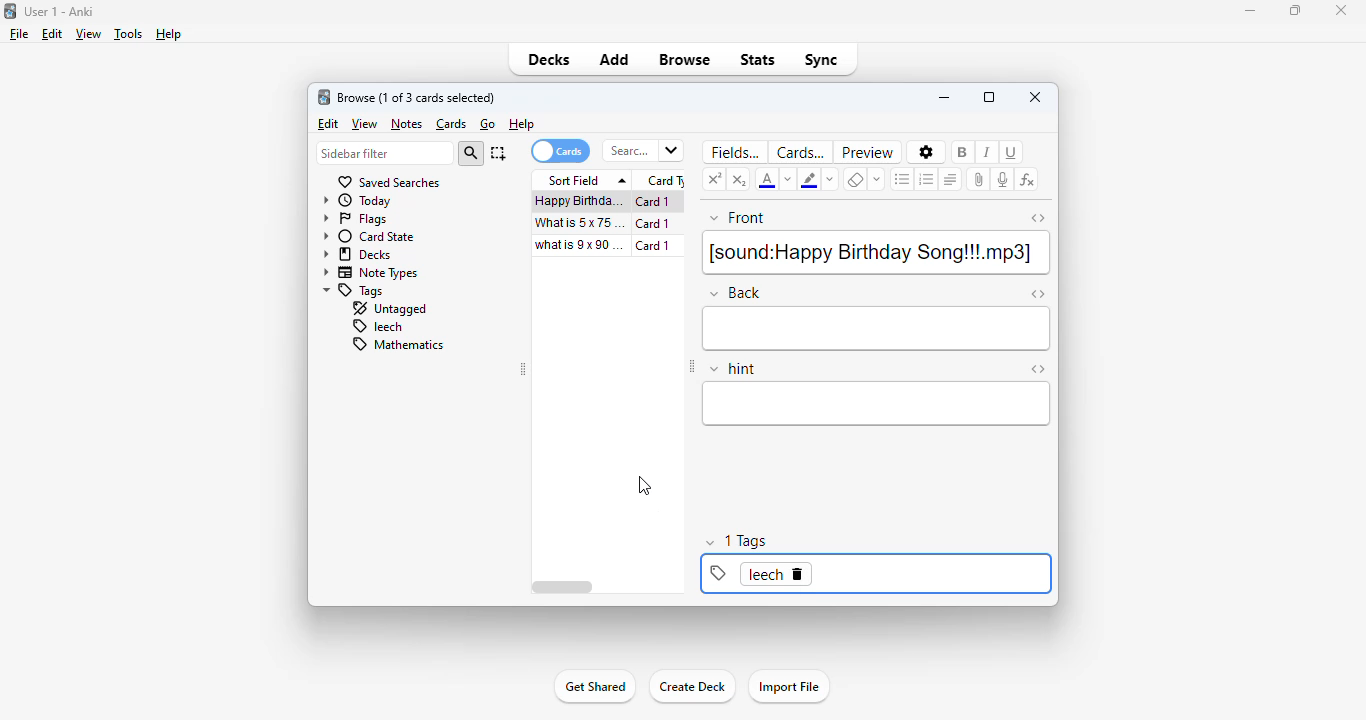 This screenshot has height=720, width=1366. What do you see at coordinates (1340, 9) in the screenshot?
I see `close` at bounding box center [1340, 9].